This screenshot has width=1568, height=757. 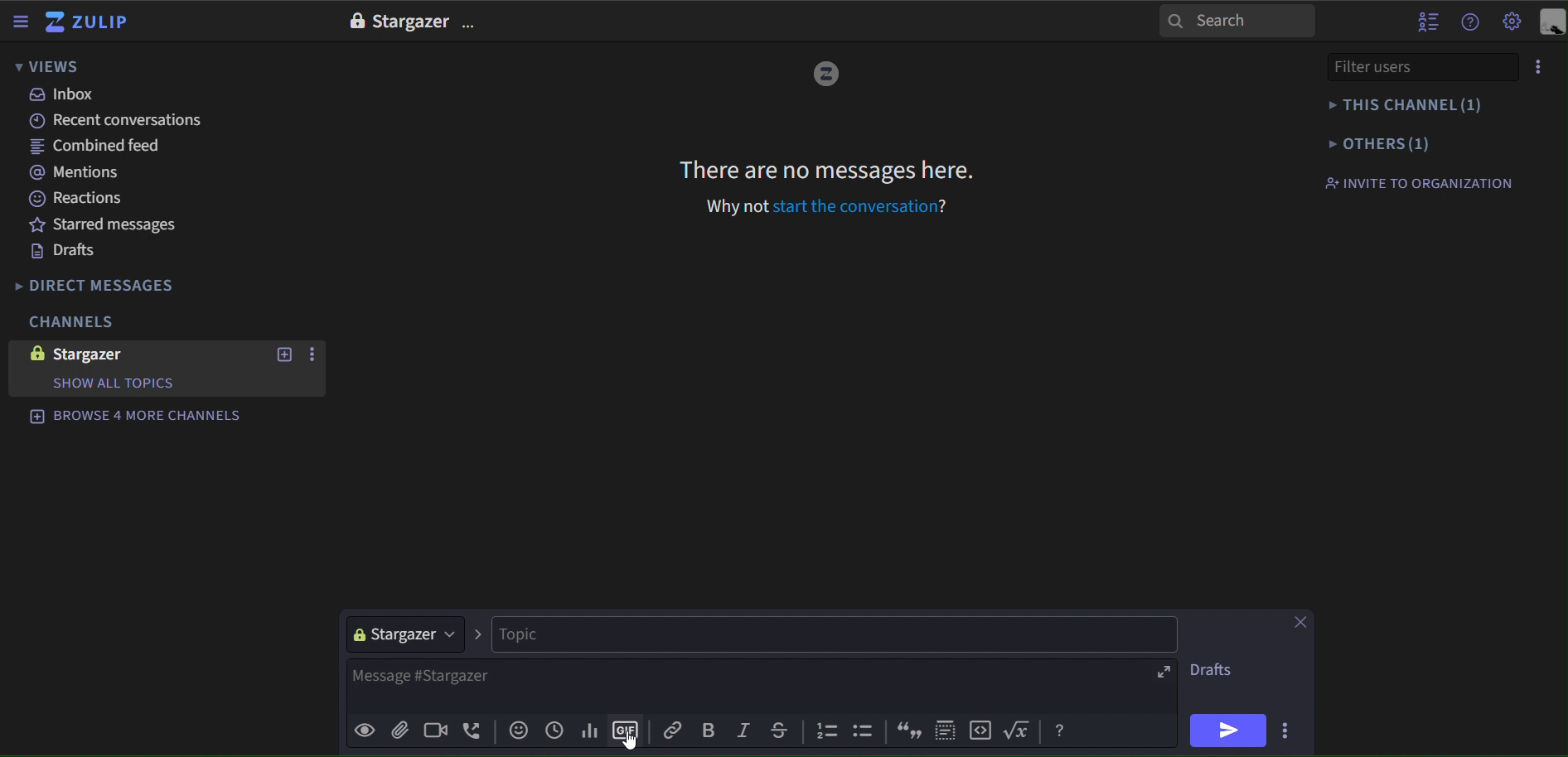 What do you see at coordinates (854, 206) in the screenshot?
I see `start the conversation` at bounding box center [854, 206].